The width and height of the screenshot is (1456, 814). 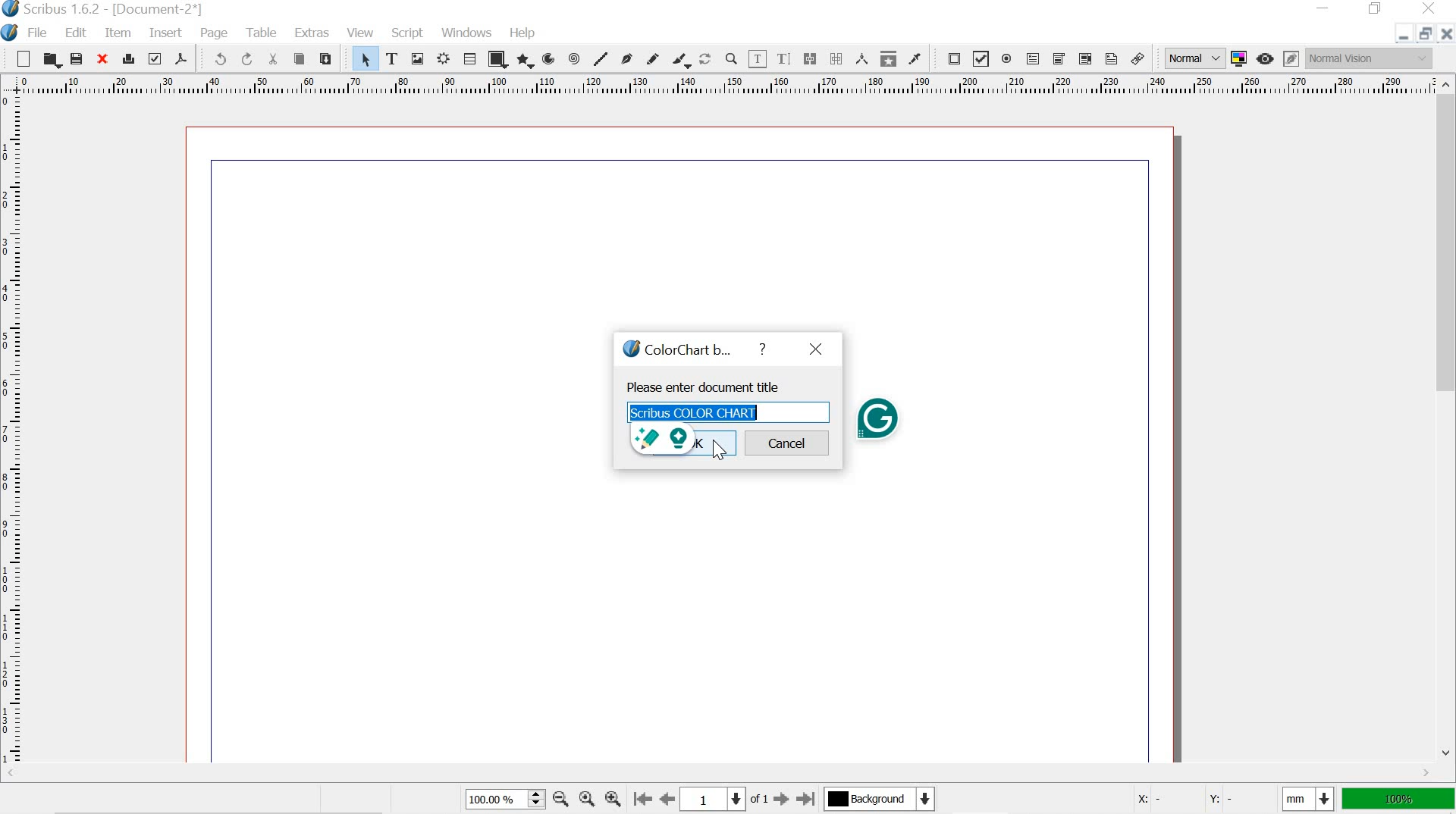 What do you see at coordinates (703, 386) in the screenshot?
I see `Please enter document title` at bounding box center [703, 386].